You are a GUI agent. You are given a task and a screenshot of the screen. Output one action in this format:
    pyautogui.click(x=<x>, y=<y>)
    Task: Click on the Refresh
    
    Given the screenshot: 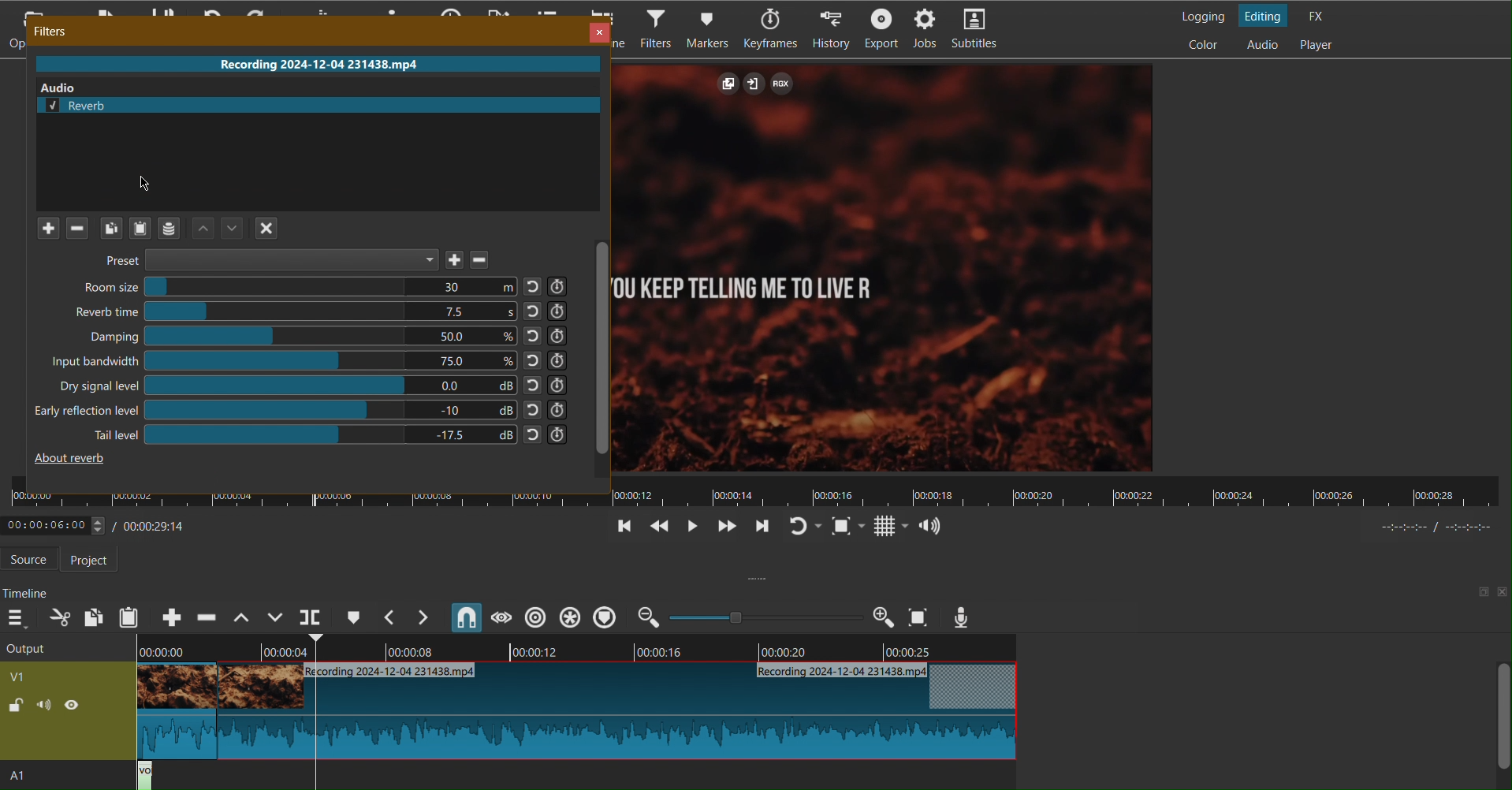 What is the action you would take?
    pyautogui.click(x=805, y=527)
    